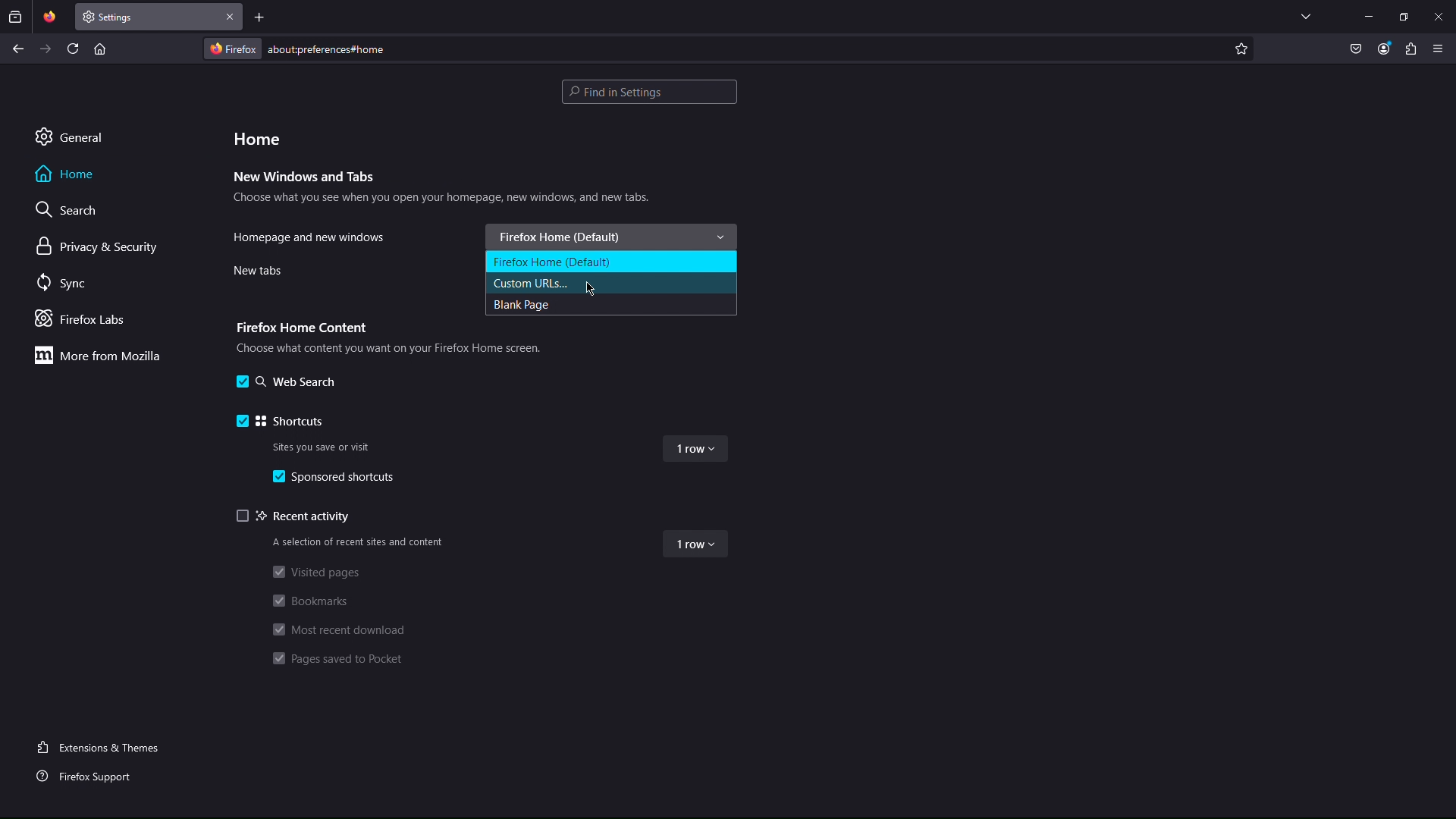 Image resolution: width=1456 pixels, height=819 pixels. I want to click on Most recent download, so click(339, 630).